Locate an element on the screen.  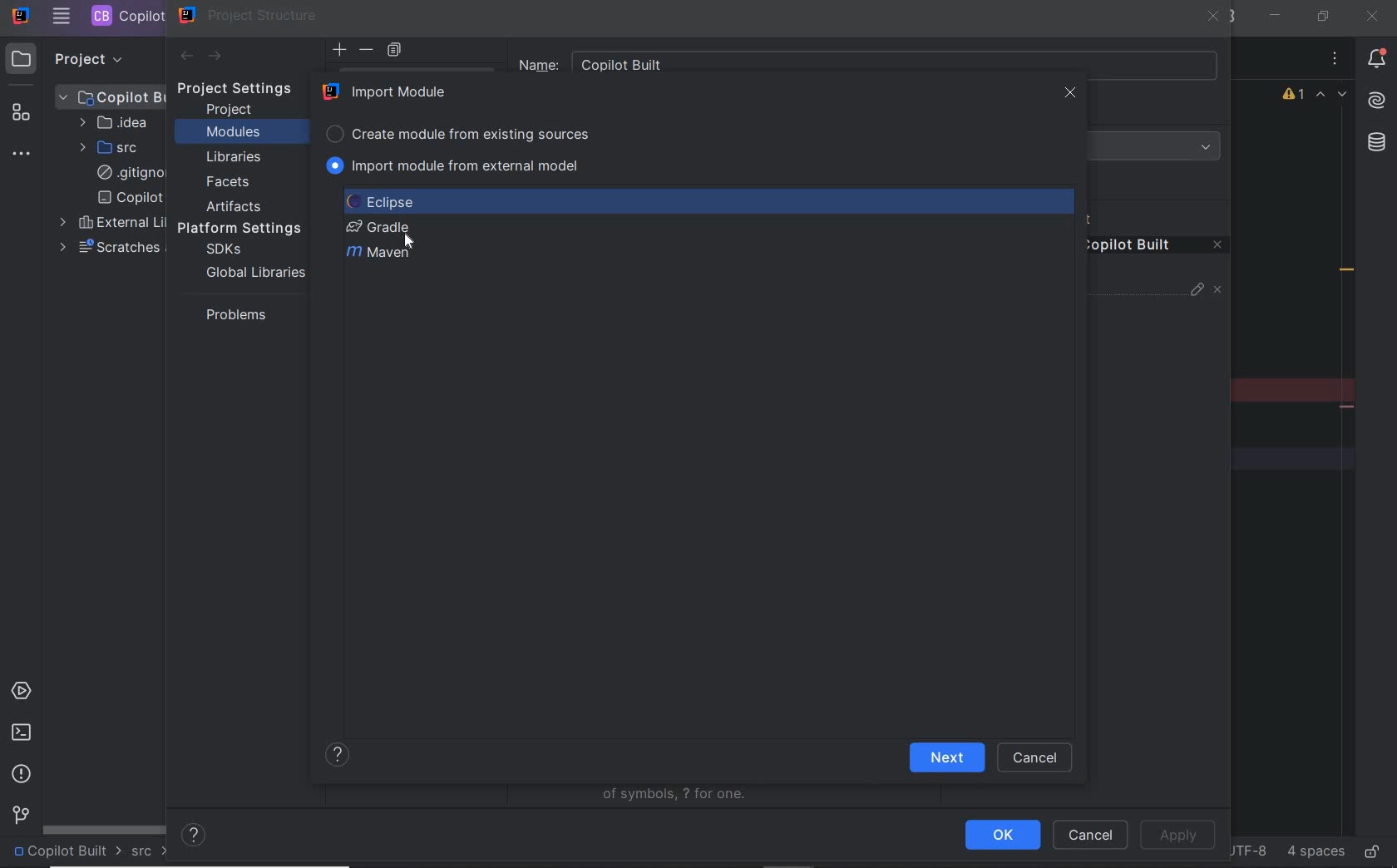
Maven is located at coordinates (380, 254).